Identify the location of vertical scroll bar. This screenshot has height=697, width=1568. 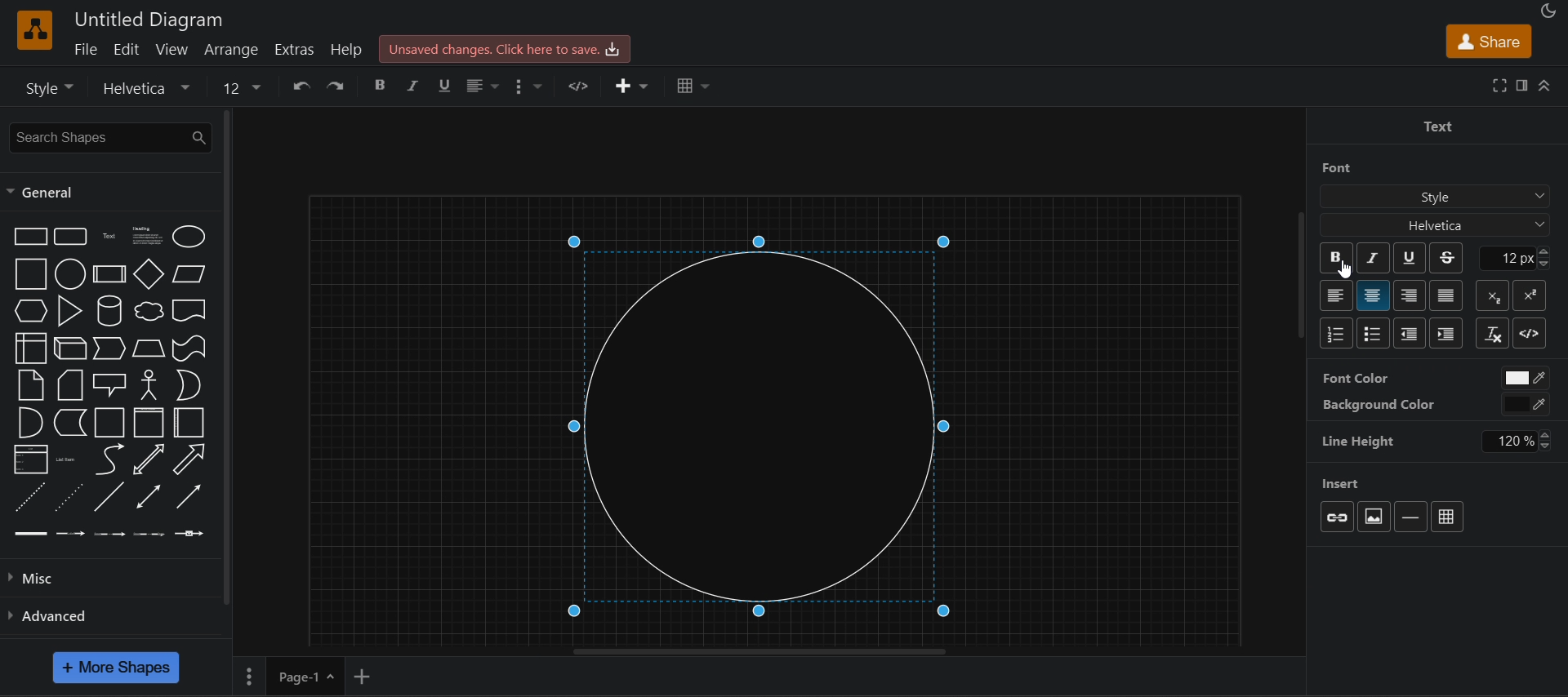
(228, 358).